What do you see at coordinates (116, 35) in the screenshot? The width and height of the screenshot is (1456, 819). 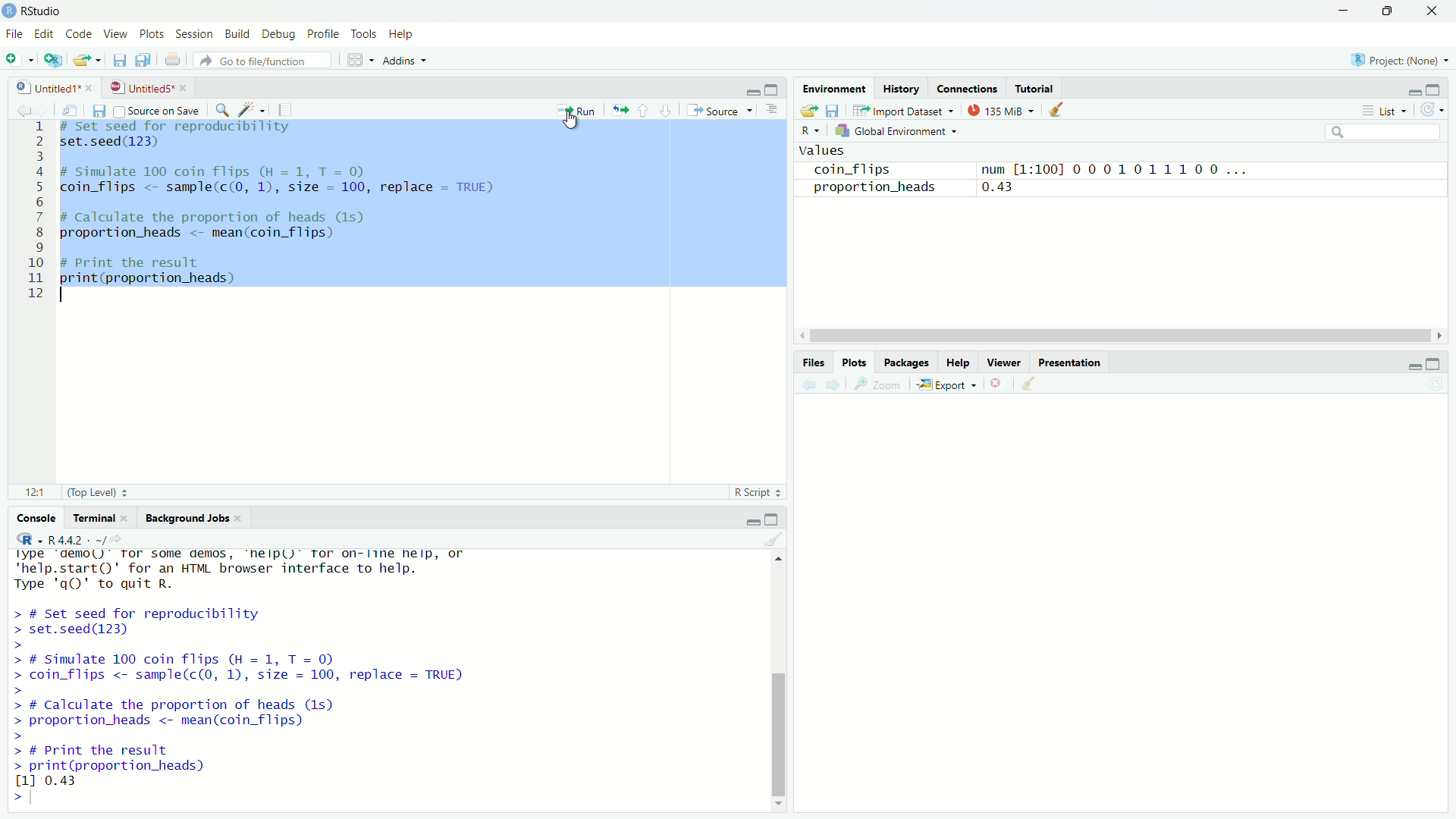 I see `view` at bounding box center [116, 35].